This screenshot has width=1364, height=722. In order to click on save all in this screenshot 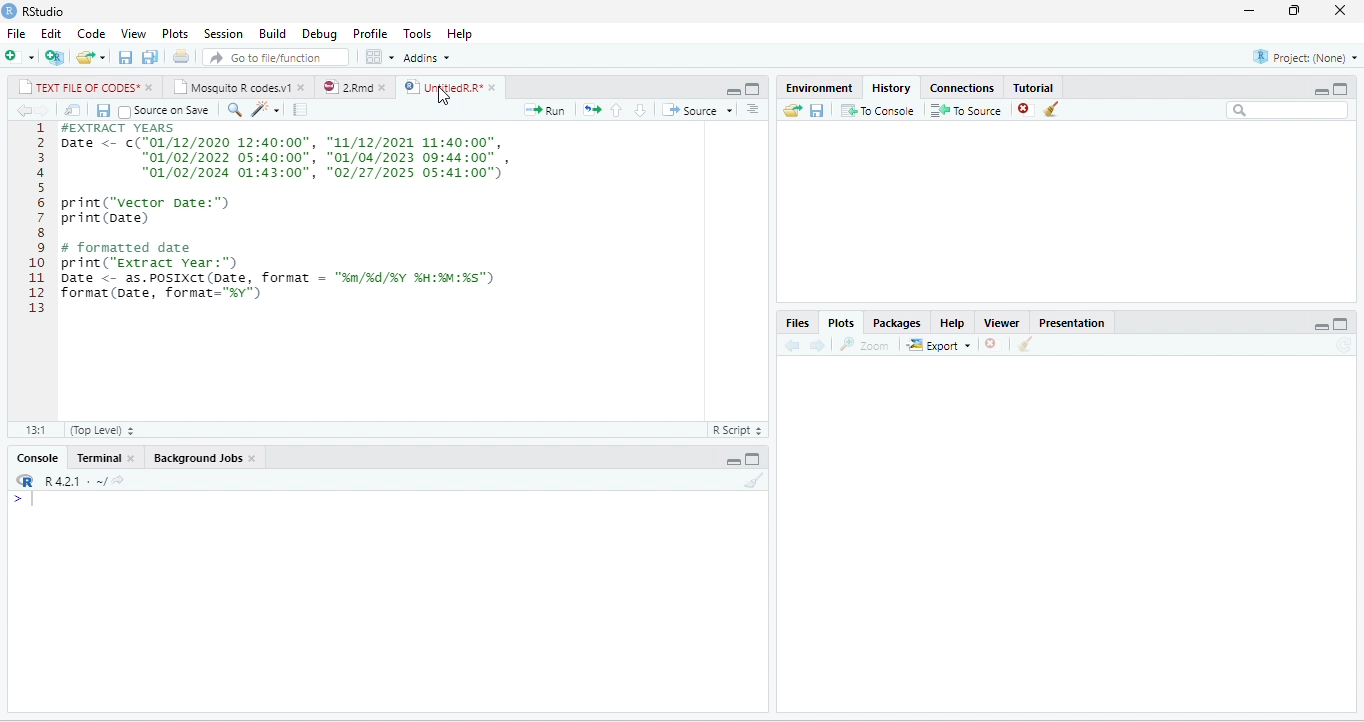, I will do `click(149, 56)`.